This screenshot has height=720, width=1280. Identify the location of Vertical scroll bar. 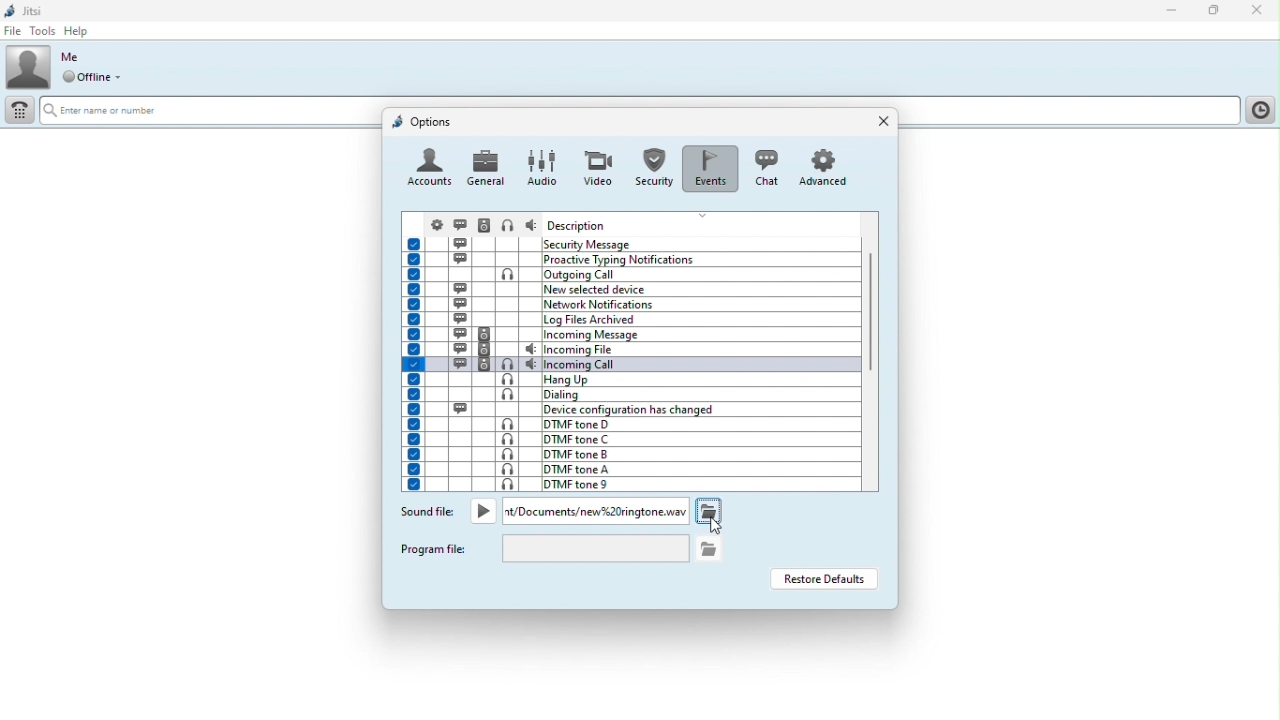
(873, 336).